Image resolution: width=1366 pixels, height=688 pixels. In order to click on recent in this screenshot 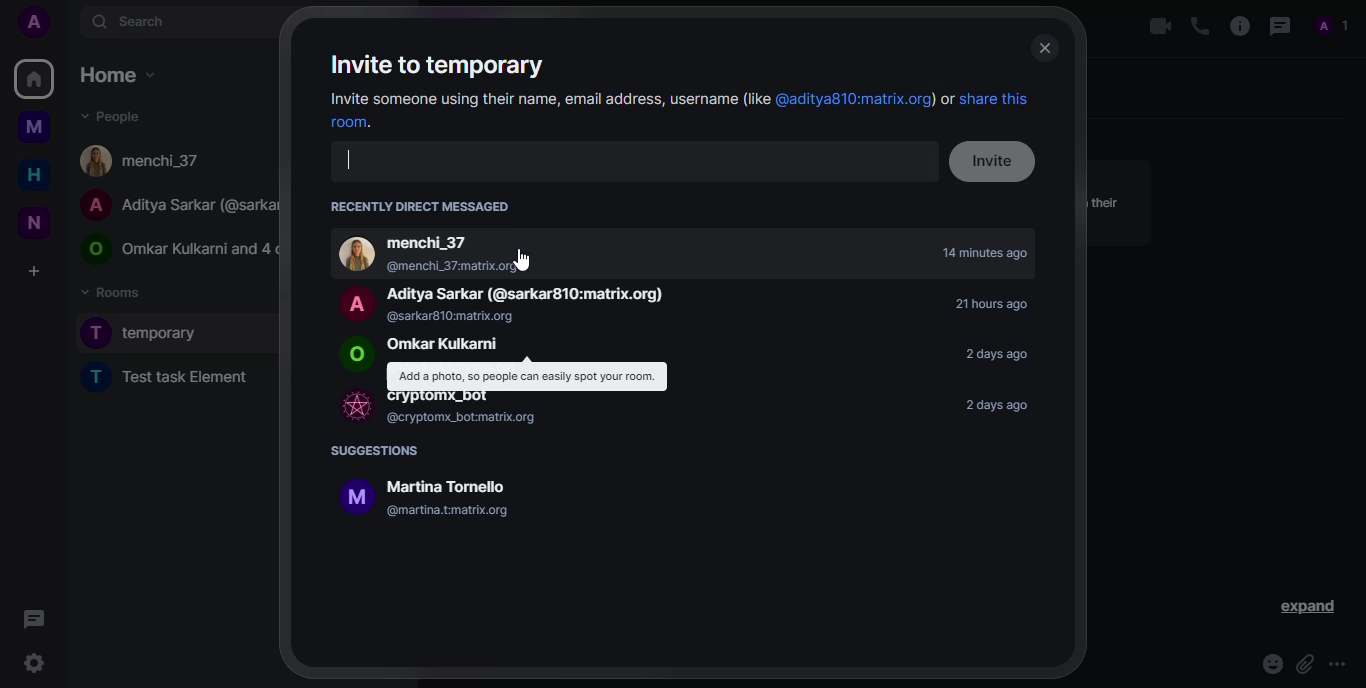, I will do `click(419, 205)`.